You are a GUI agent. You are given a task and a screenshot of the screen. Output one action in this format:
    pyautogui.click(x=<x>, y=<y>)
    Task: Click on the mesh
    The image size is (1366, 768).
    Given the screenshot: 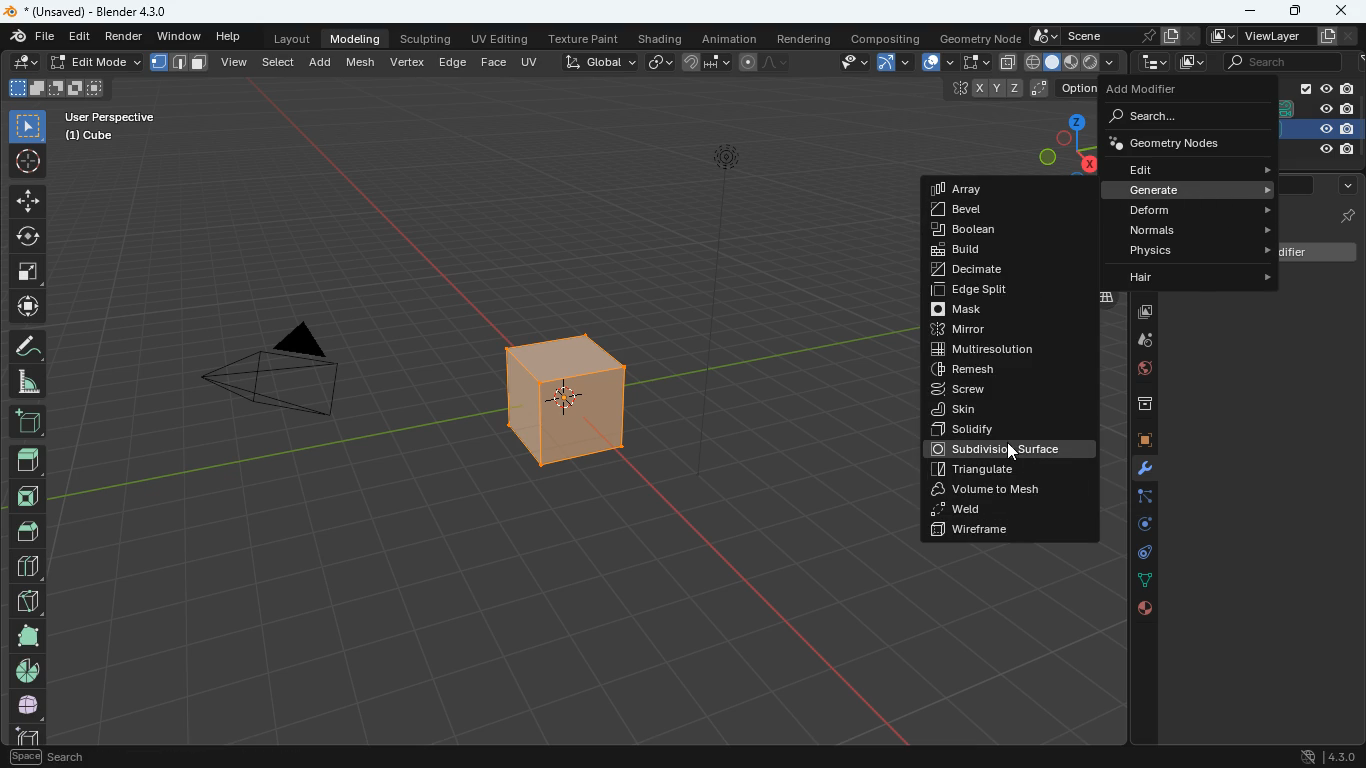 What is the action you would take?
    pyautogui.click(x=361, y=62)
    